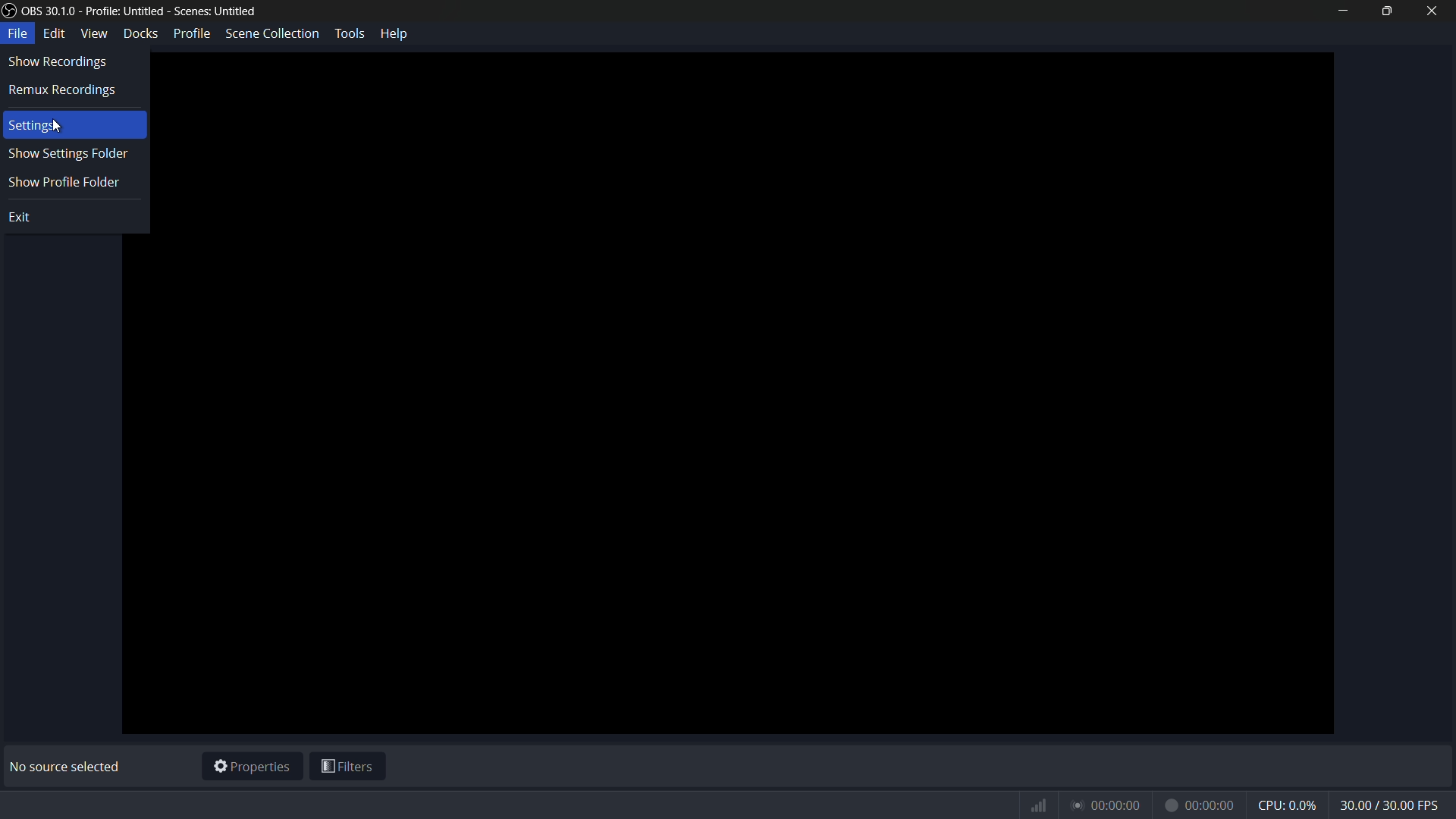 This screenshot has height=819, width=1456. Describe the element at coordinates (1432, 11) in the screenshot. I see `close app` at that location.